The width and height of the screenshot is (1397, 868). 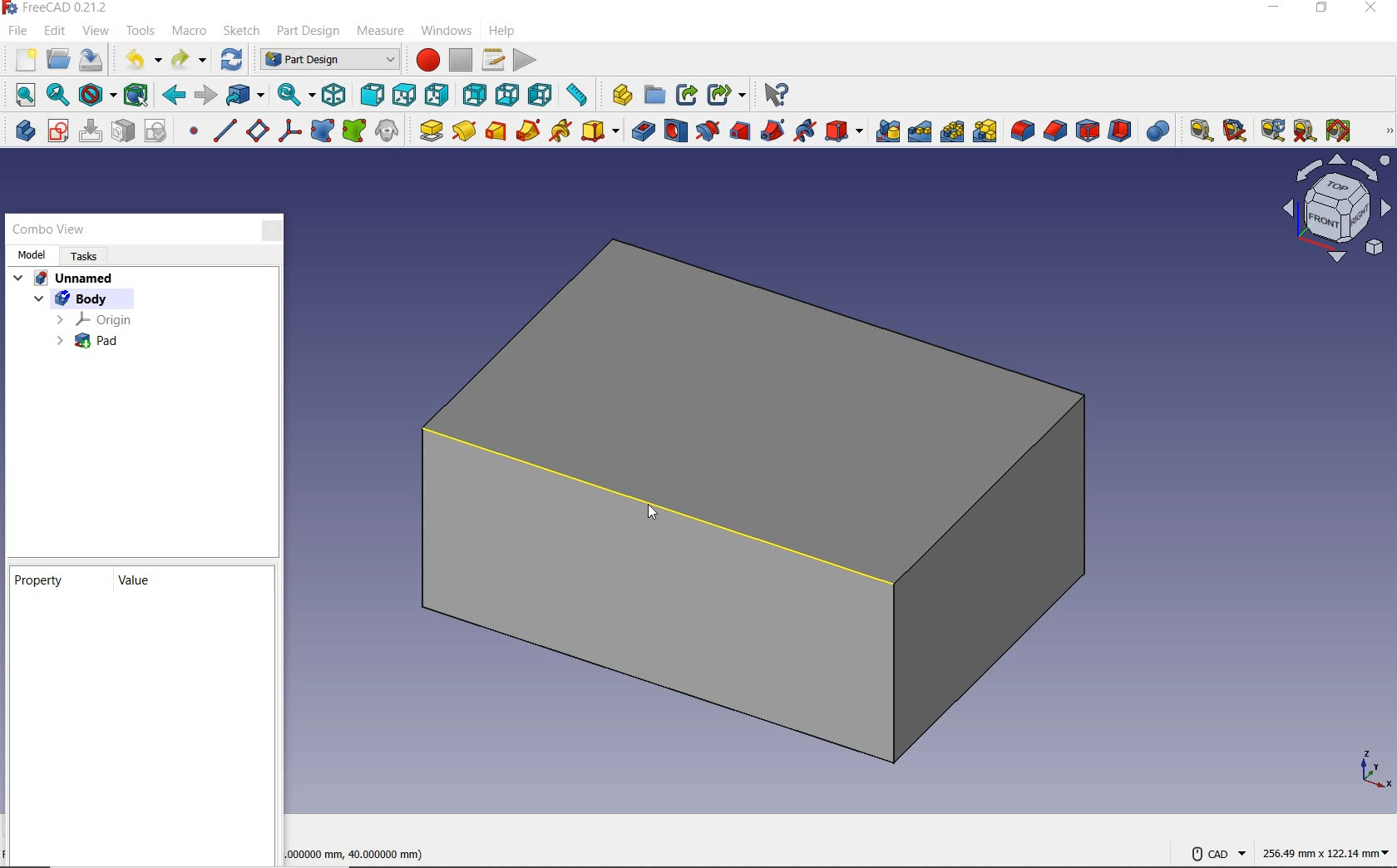 I want to click on subtractive loft, so click(x=740, y=132).